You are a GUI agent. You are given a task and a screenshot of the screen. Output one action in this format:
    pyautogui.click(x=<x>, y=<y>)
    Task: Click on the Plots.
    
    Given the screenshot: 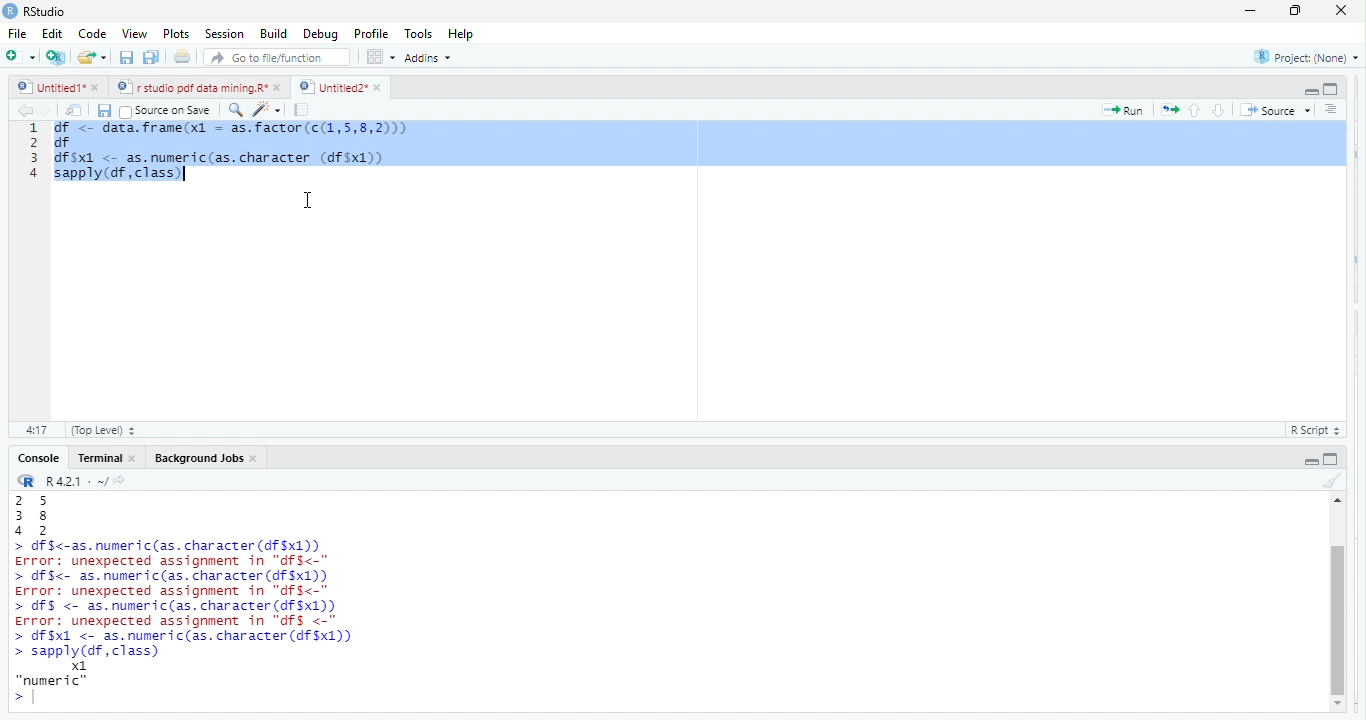 What is the action you would take?
    pyautogui.click(x=175, y=34)
    